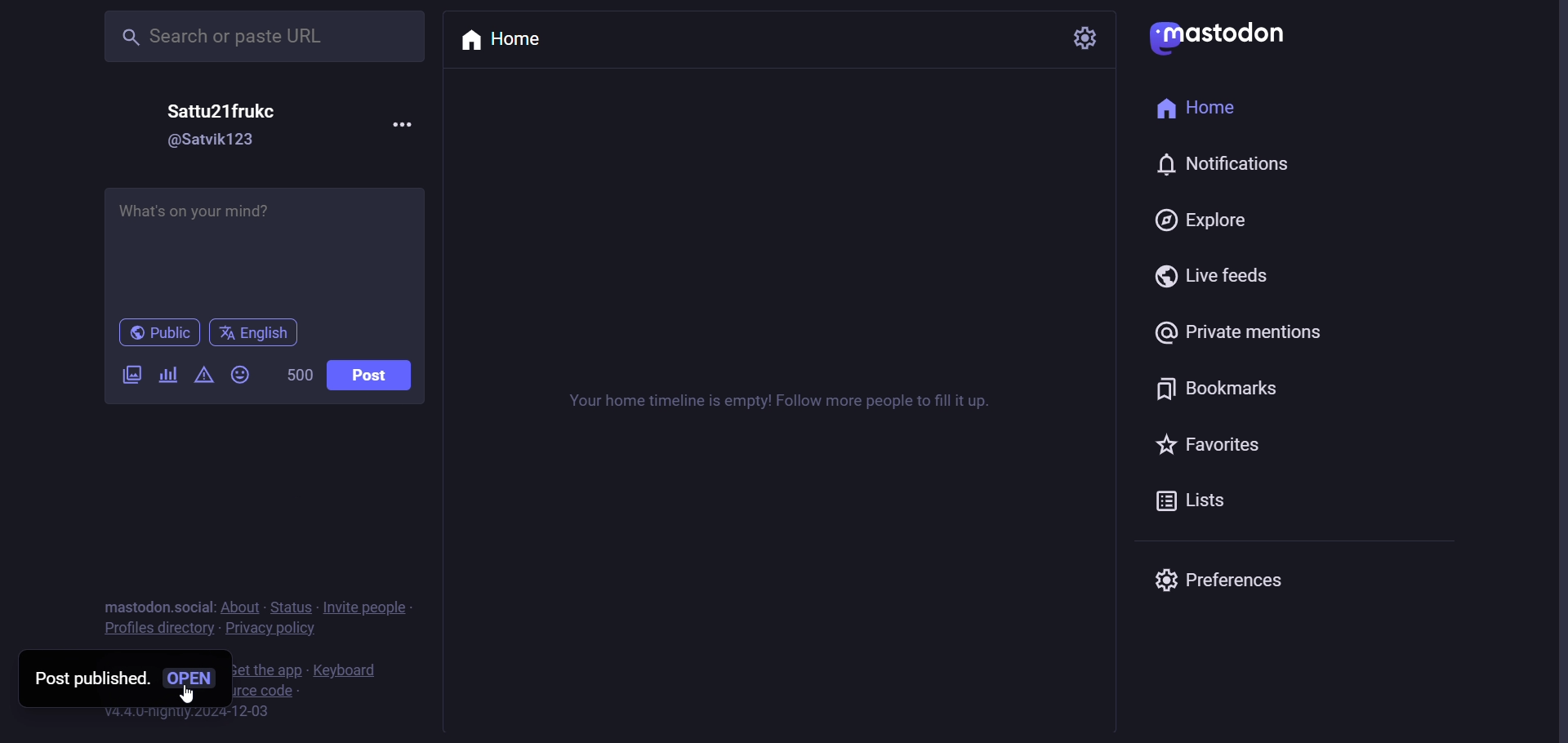 This screenshot has width=1568, height=743. Describe the element at coordinates (1196, 222) in the screenshot. I see `explore` at that location.